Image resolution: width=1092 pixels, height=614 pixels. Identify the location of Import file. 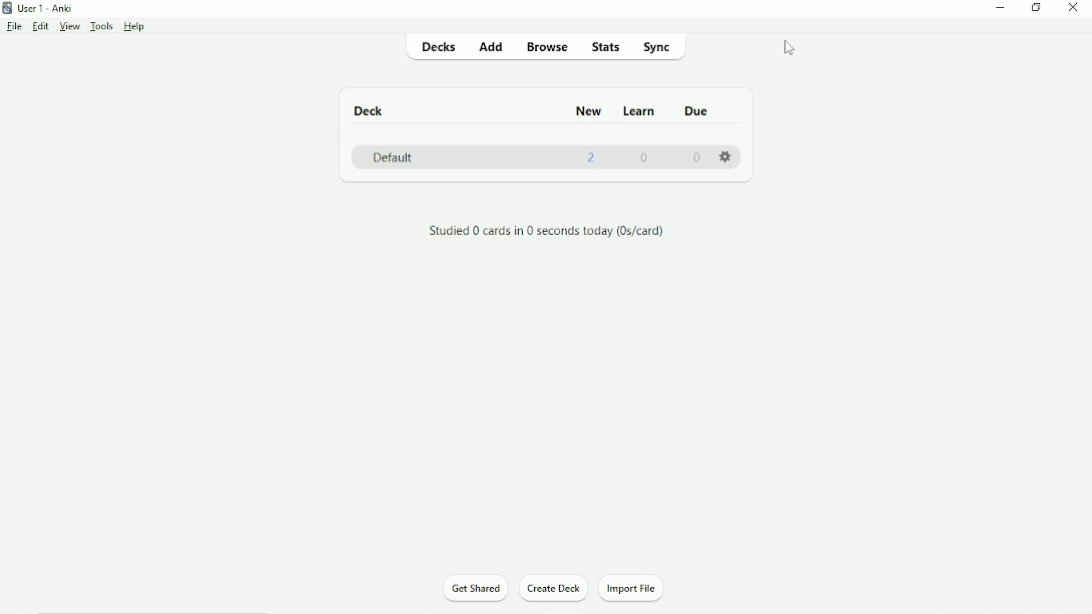
(636, 588).